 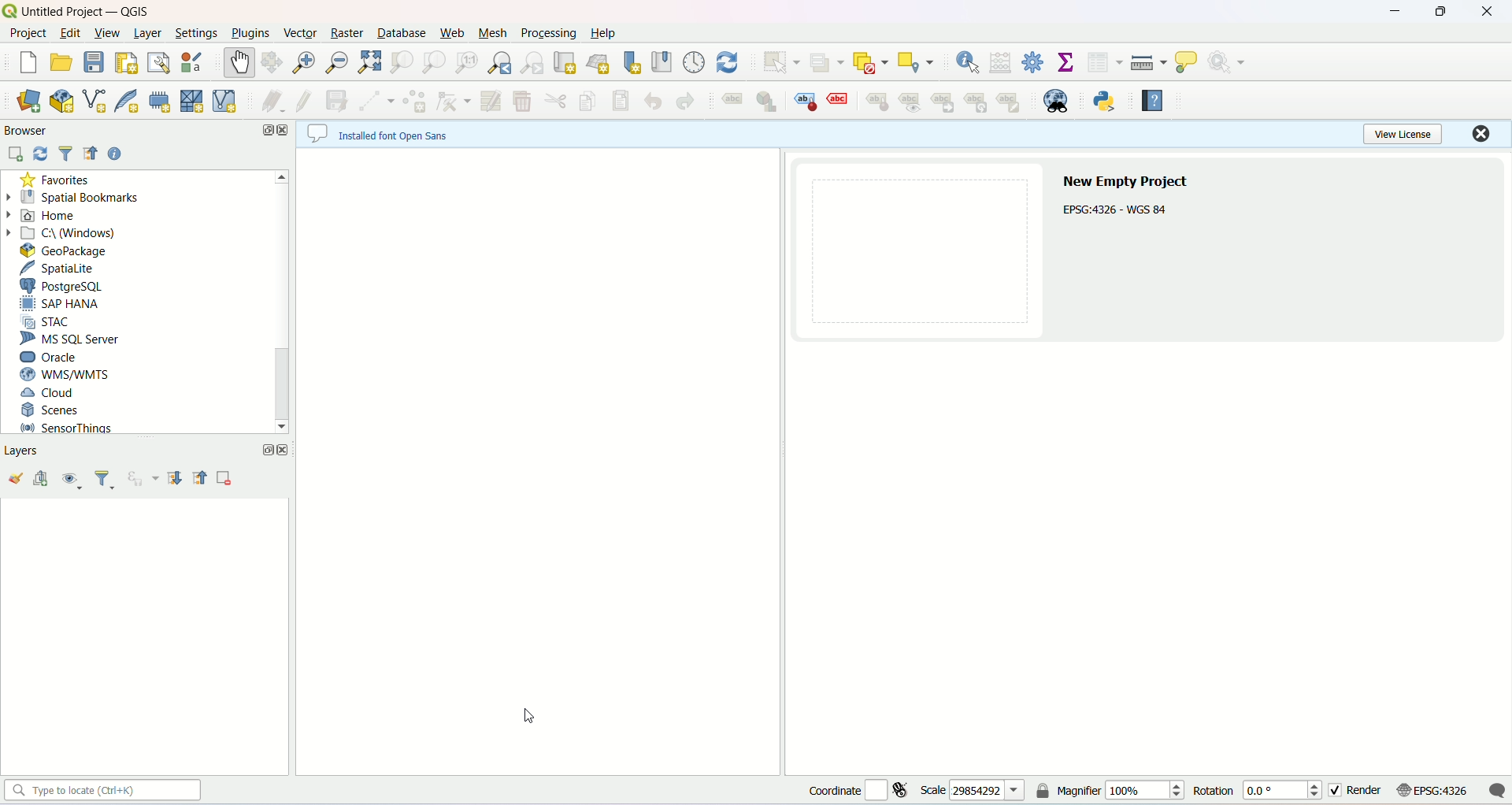 I want to click on close, so click(x=285, y=132).